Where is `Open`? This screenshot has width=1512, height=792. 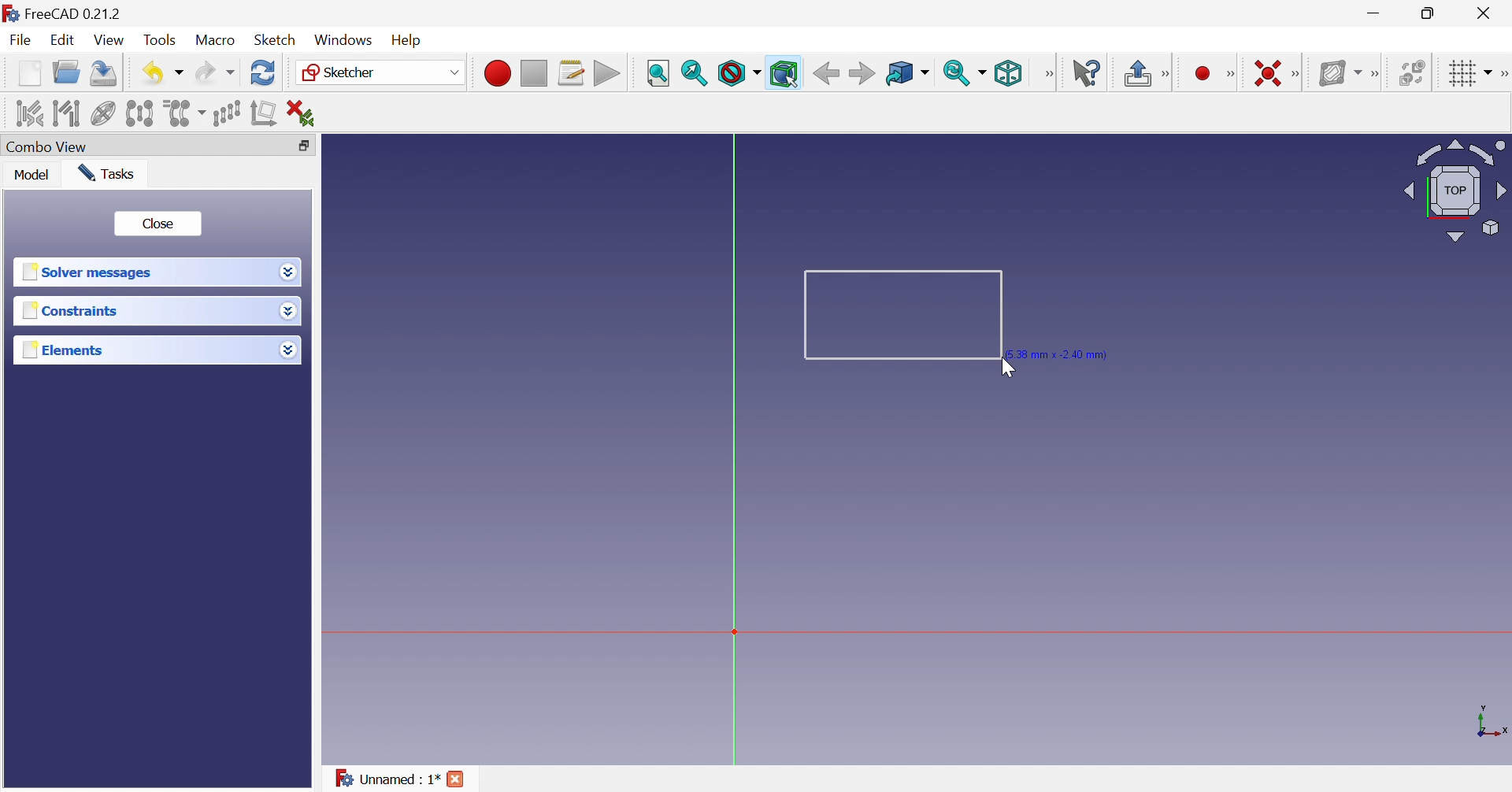
Open is located at coordinates (67, 72).